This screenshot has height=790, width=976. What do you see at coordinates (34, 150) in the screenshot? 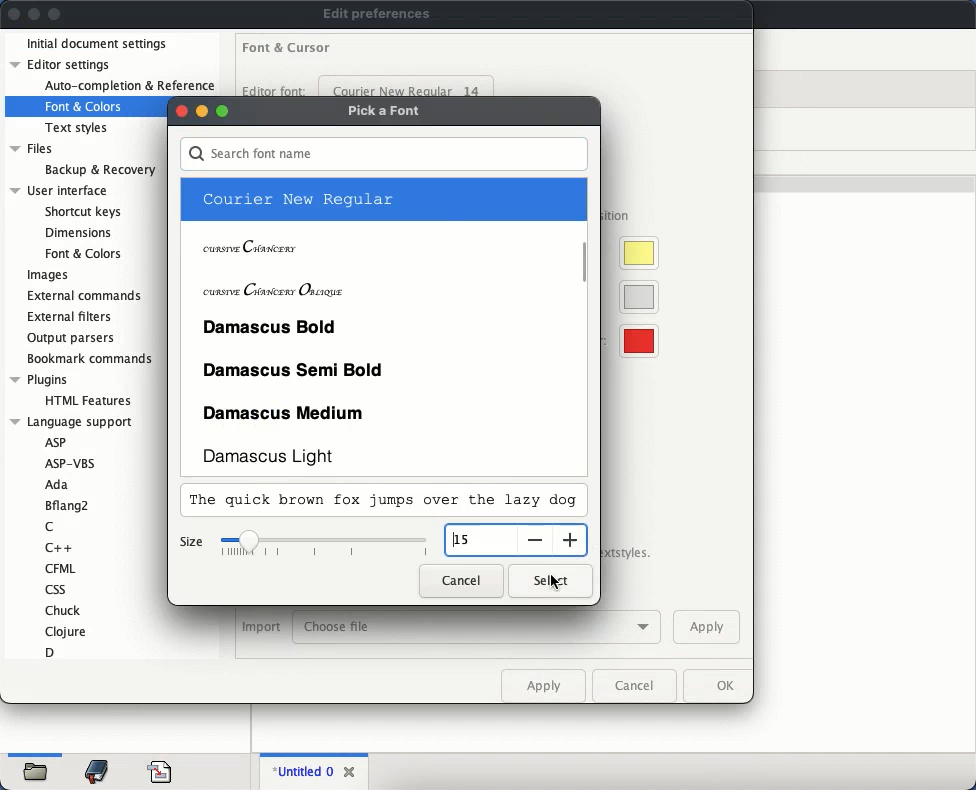
I see `files` at bounding box center [34, 150].